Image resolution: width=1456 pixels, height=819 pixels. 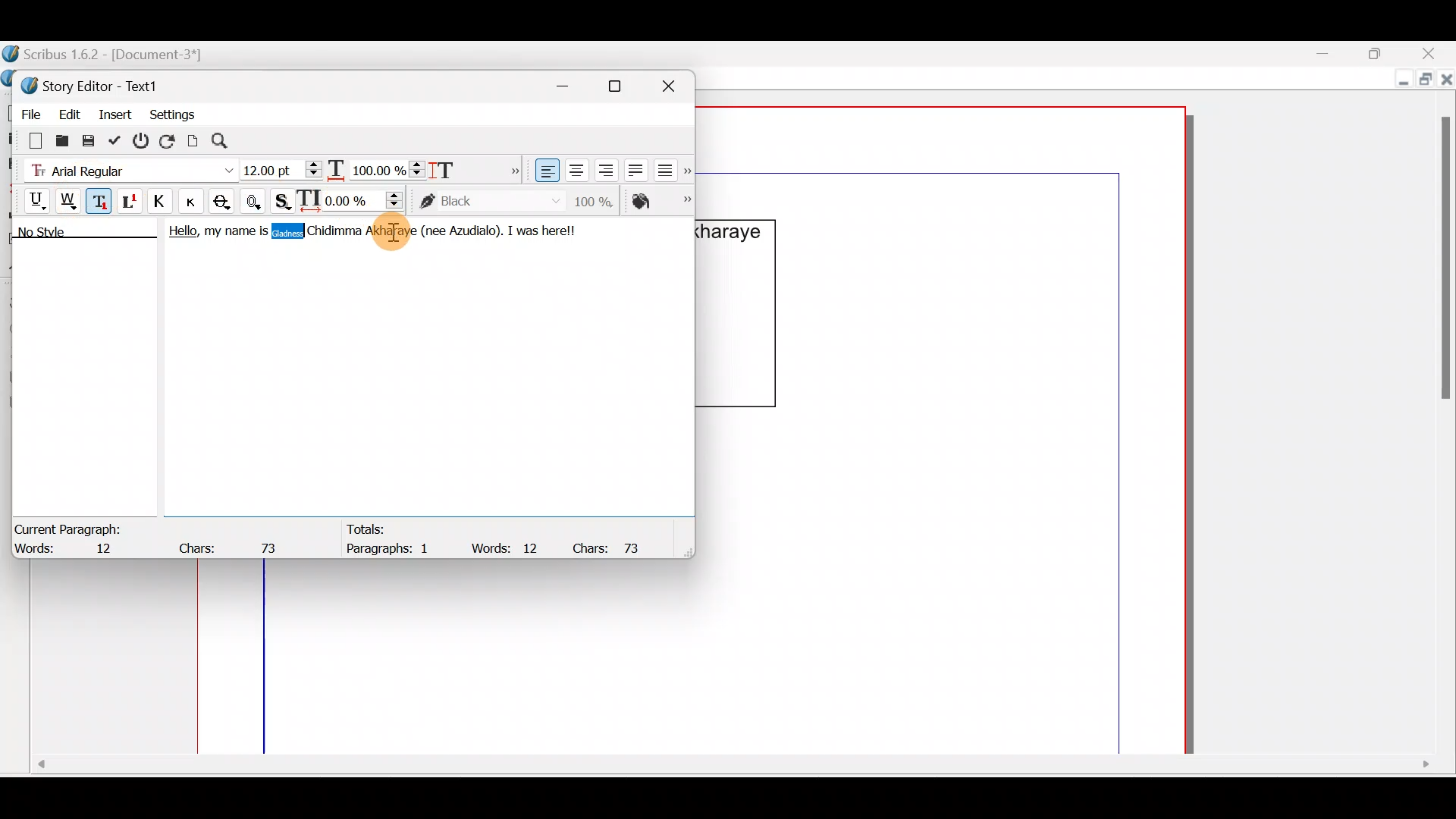 I want to click on Current Paragraph:, so click(x=70, y=527).